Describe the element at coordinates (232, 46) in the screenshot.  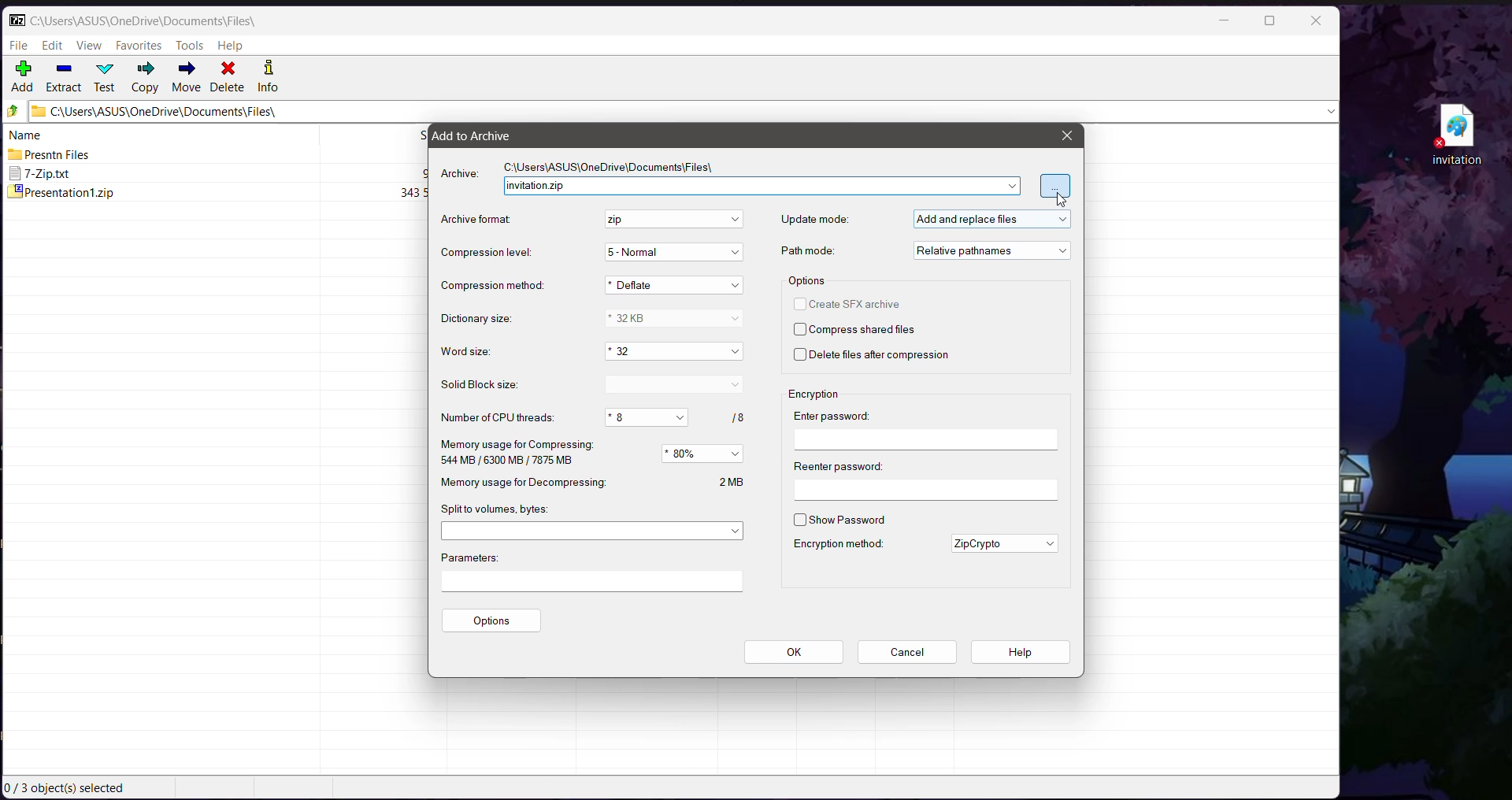
I see `Help` at that location.